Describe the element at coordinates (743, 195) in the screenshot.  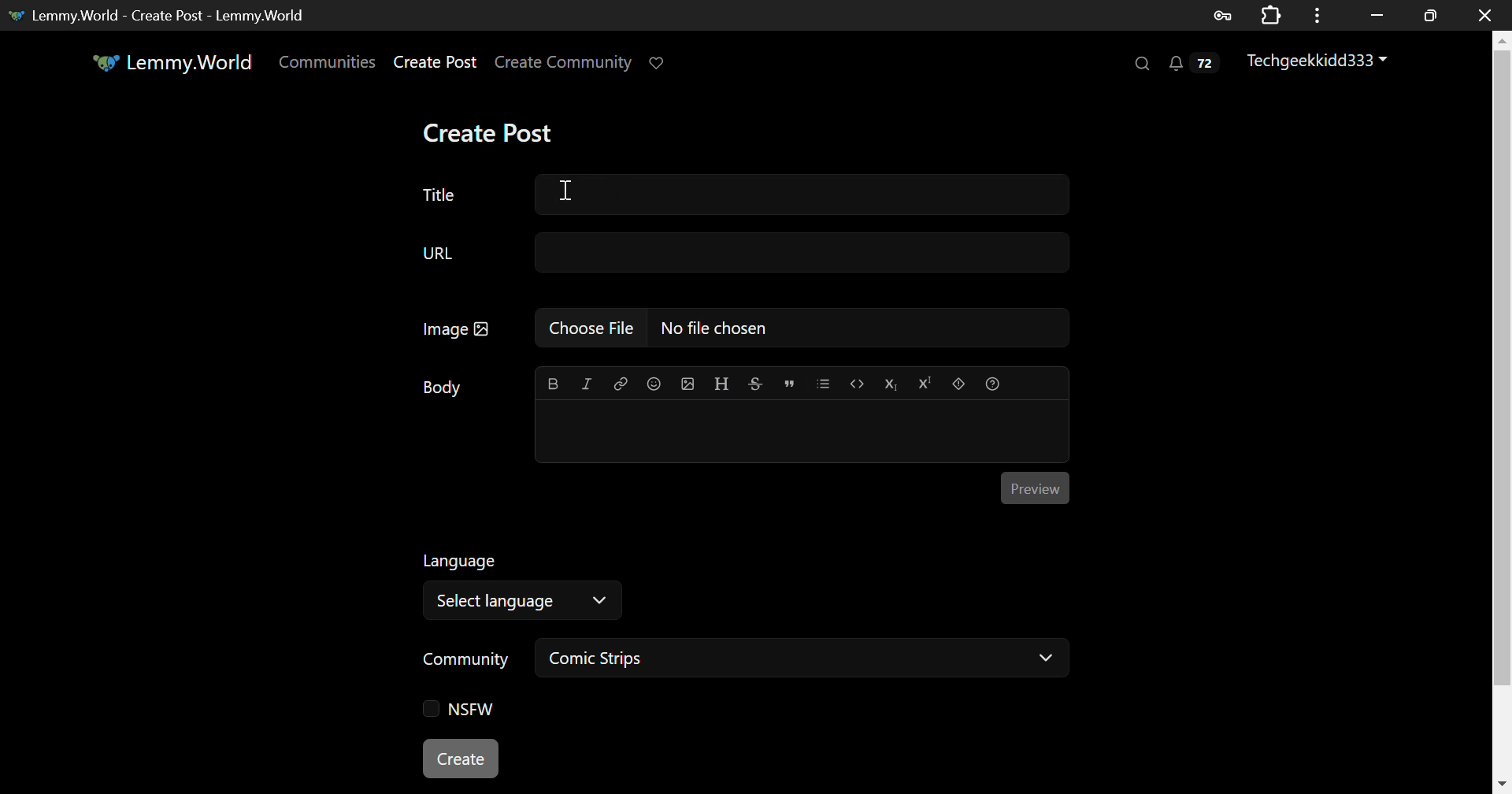
I see `Title` at that location.